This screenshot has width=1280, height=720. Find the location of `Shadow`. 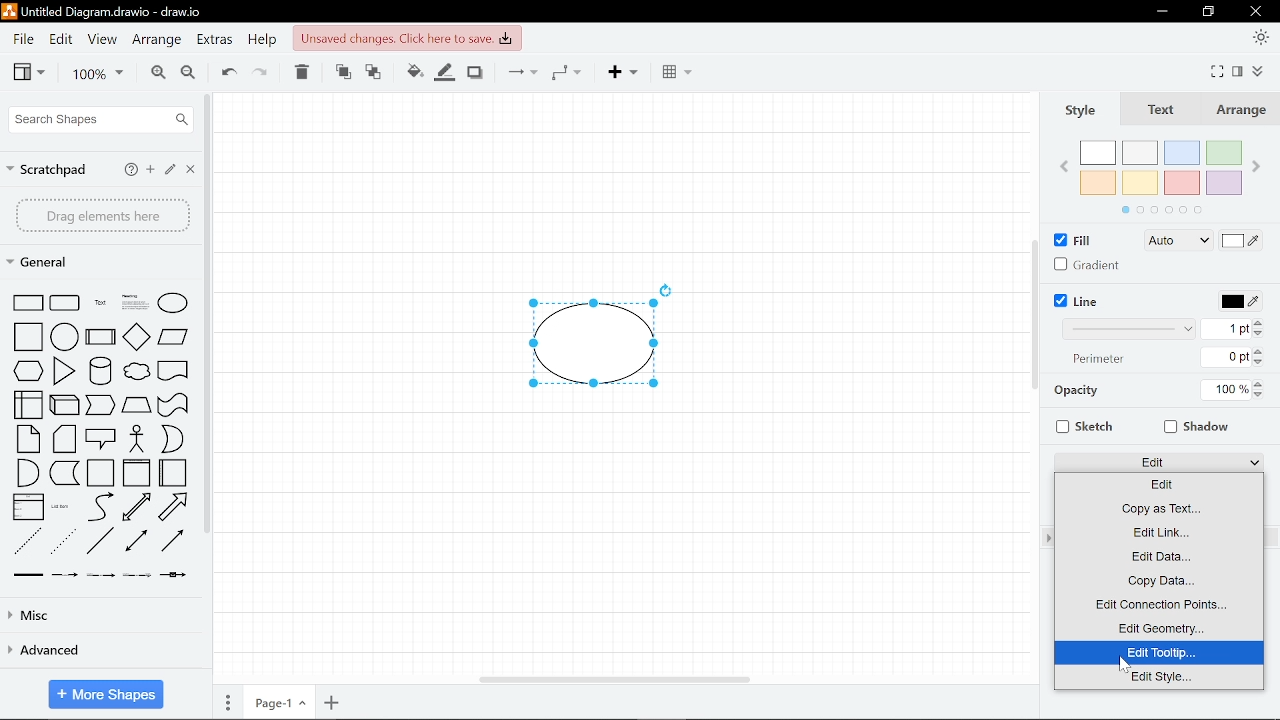

Shadow is located at coordinates (1192, 425).